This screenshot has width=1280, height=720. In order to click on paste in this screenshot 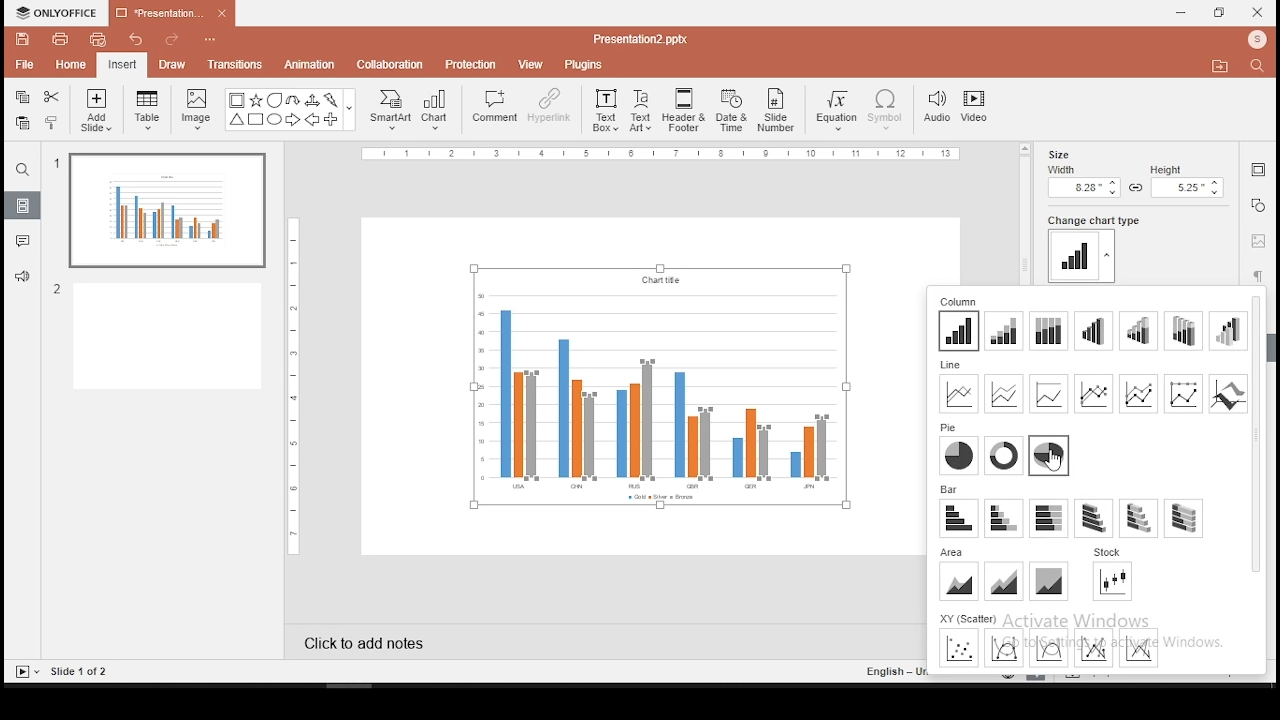, I will do `click(22, 123)`.